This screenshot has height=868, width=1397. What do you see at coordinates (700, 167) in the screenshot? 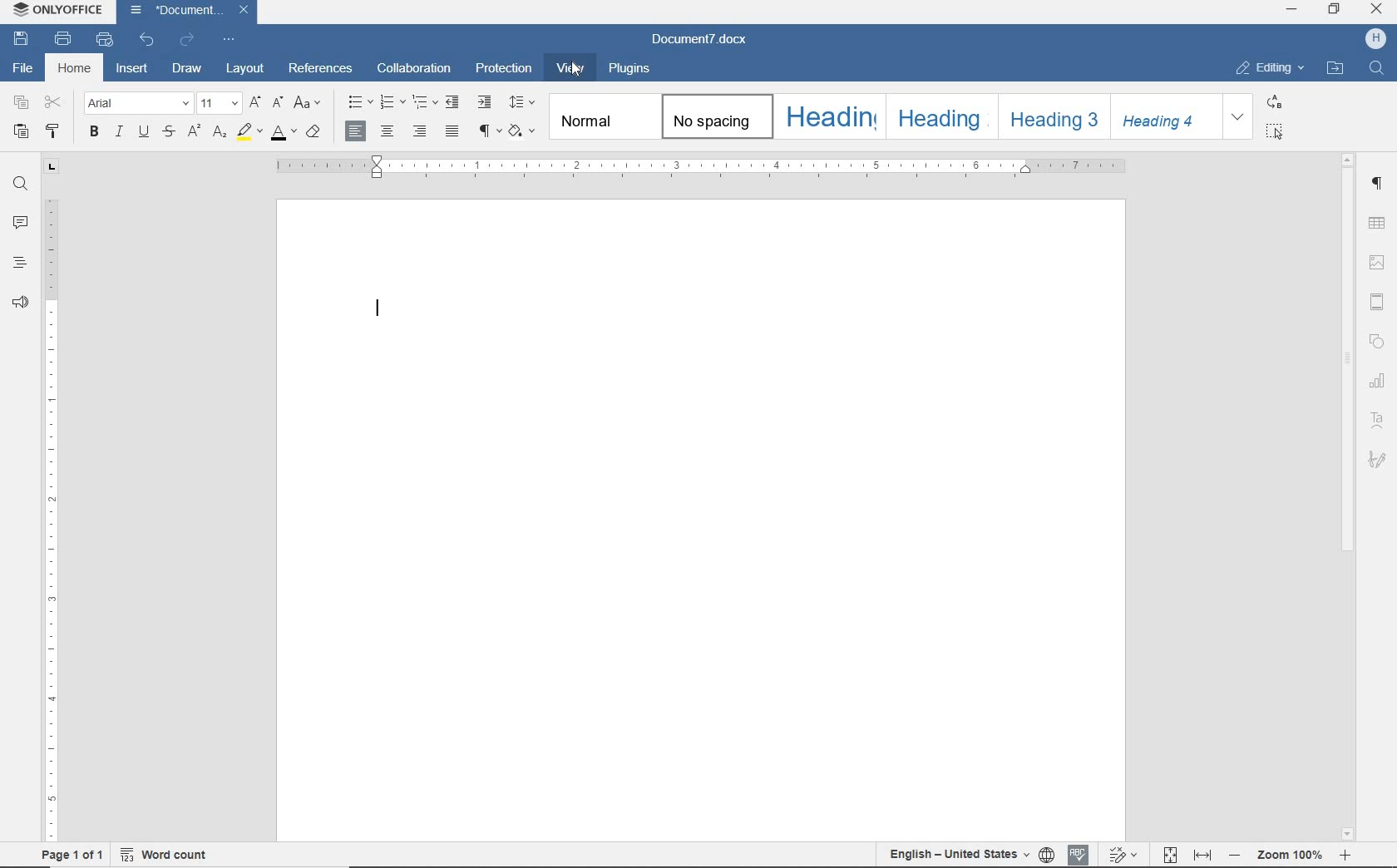
I see `RULER` at bounding box center [700, 167].